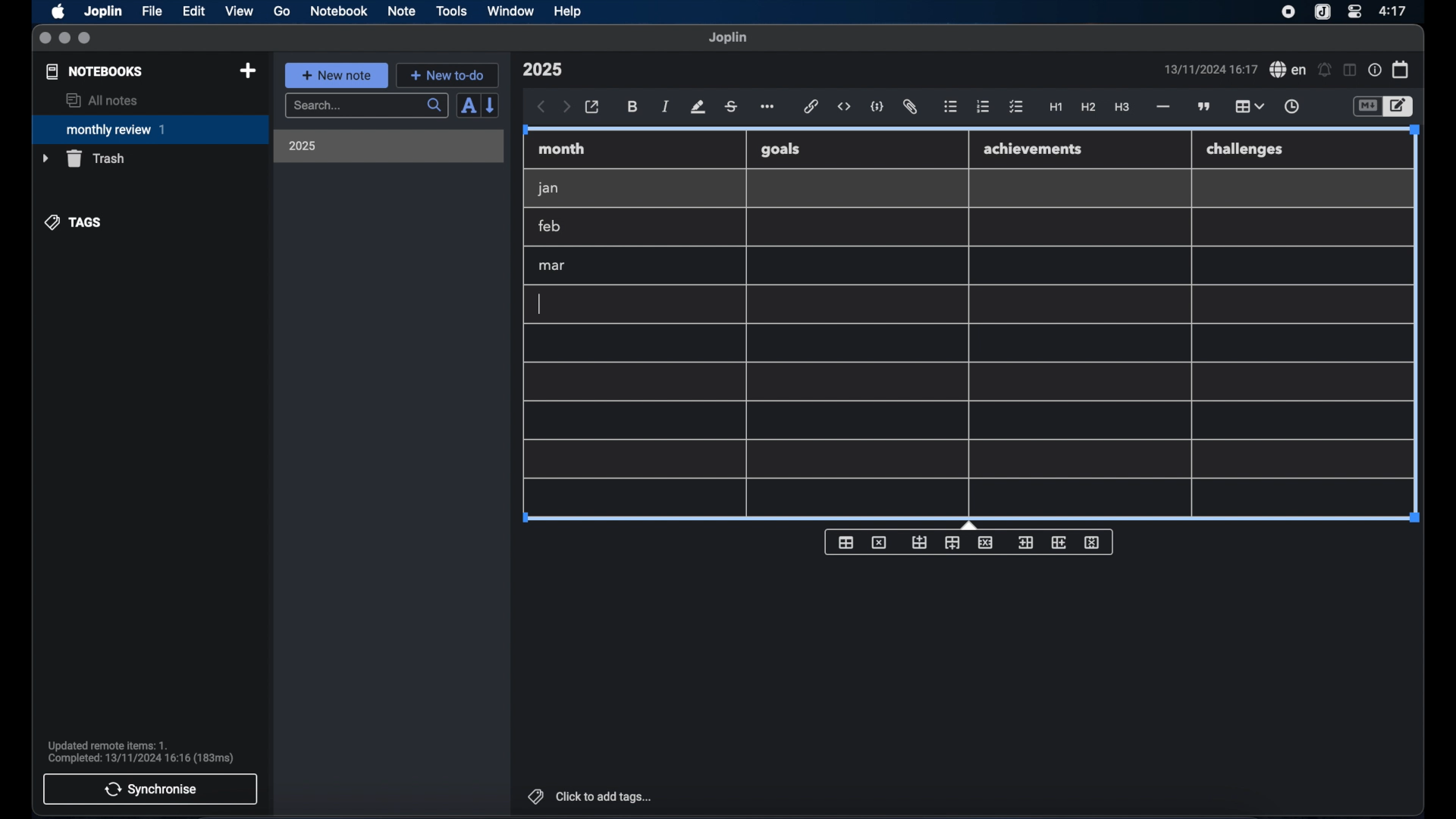  What do you see at coordinates (1354, 11) in the screenshot?
I see `control center` at bounding box center [1354, 11].